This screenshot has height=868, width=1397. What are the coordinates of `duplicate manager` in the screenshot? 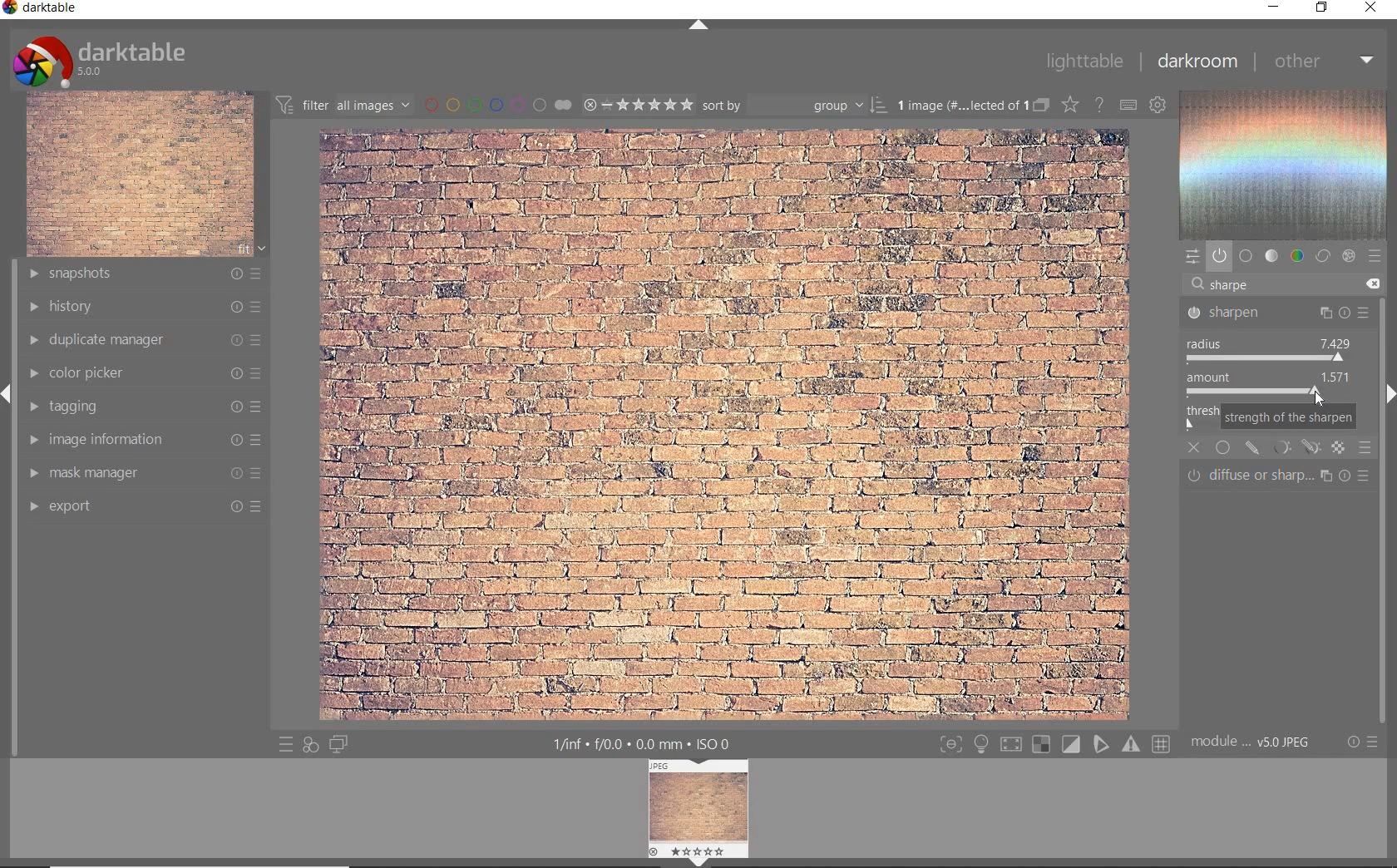 It's located at (146, 342).